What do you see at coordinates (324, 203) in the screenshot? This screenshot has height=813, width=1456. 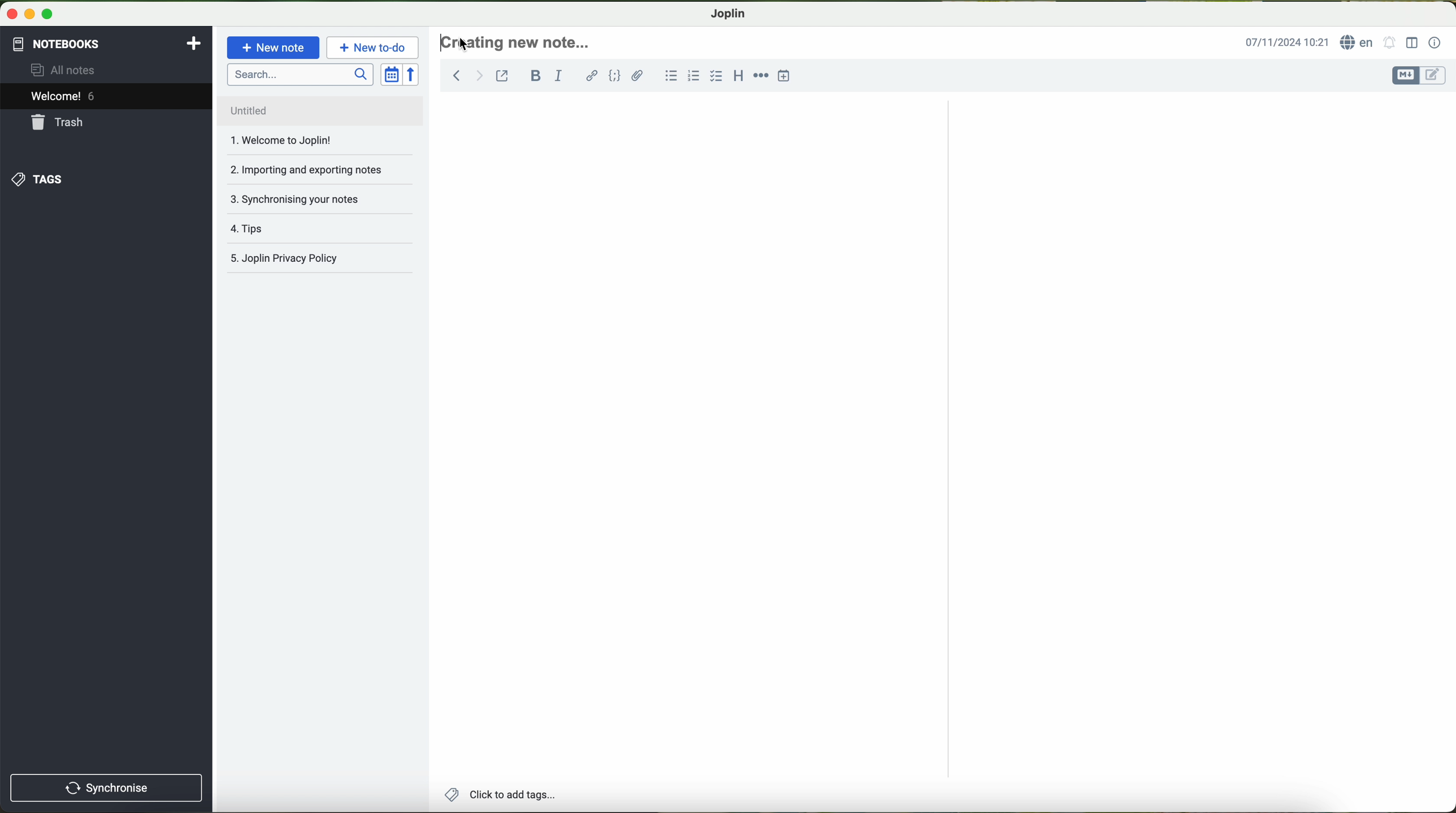 I see `synchronising your notes` at bounding box center [324, 203].